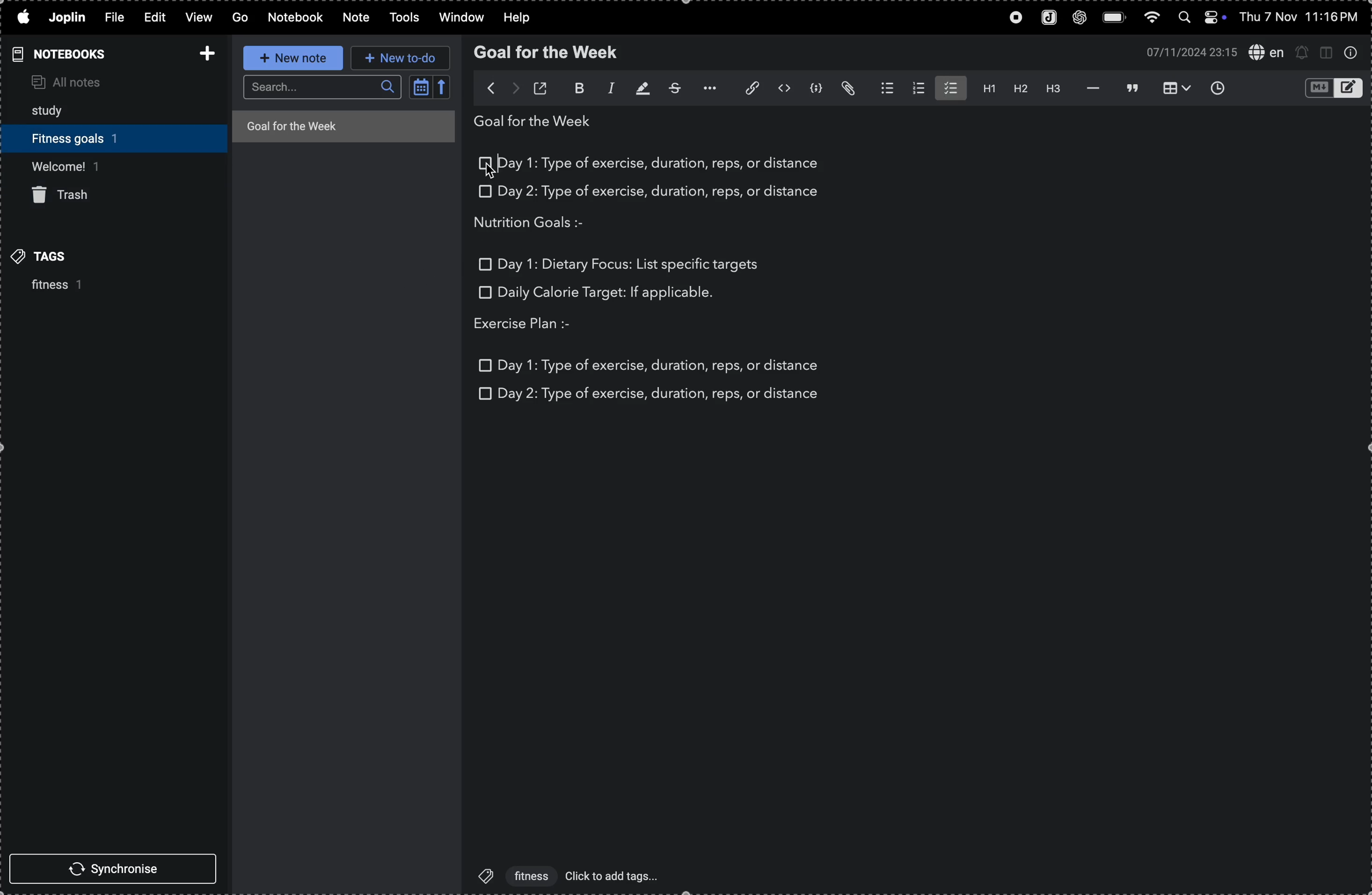  I want to click on record, so click(1009, 18).